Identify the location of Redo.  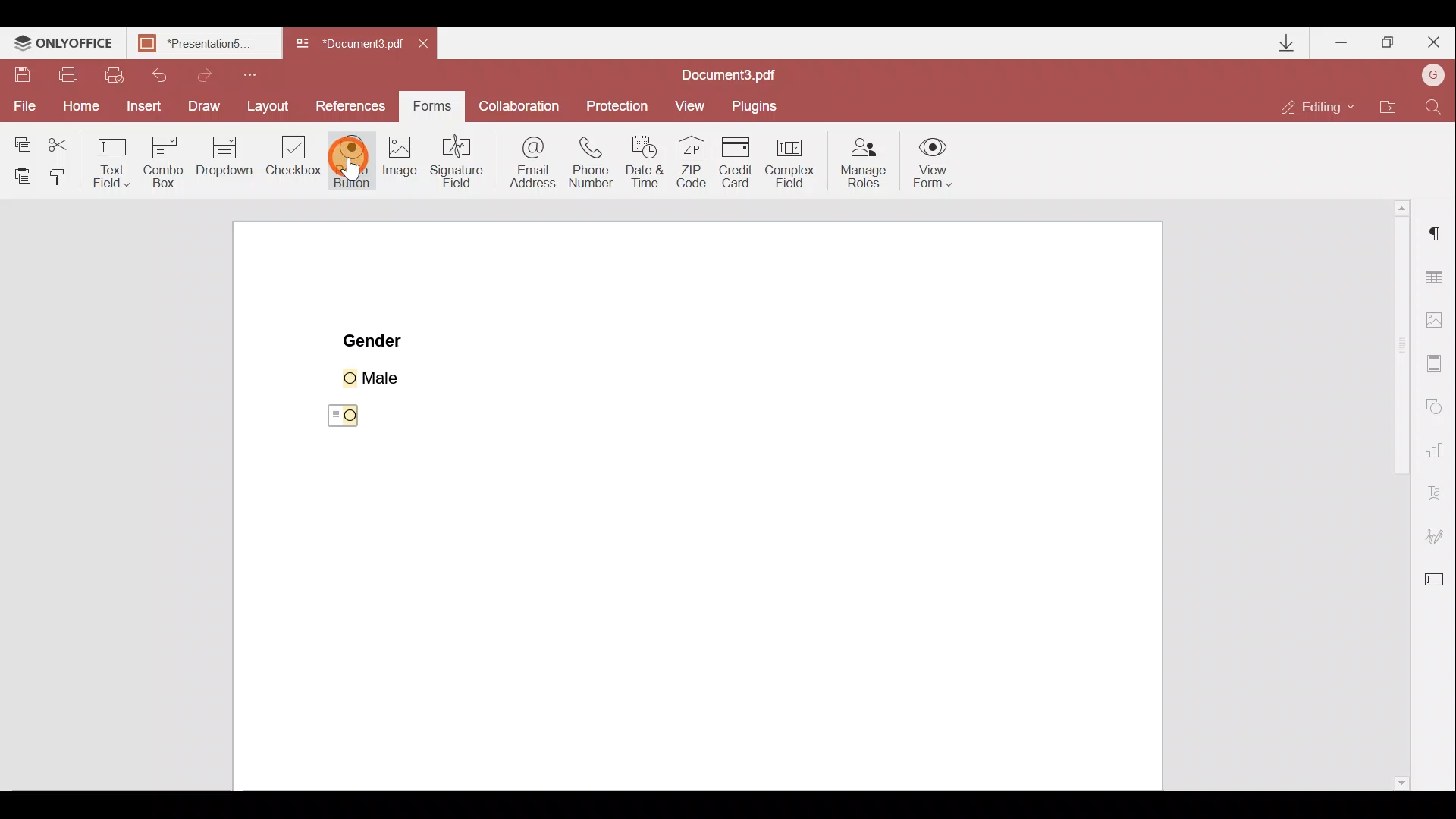
(218, 75).